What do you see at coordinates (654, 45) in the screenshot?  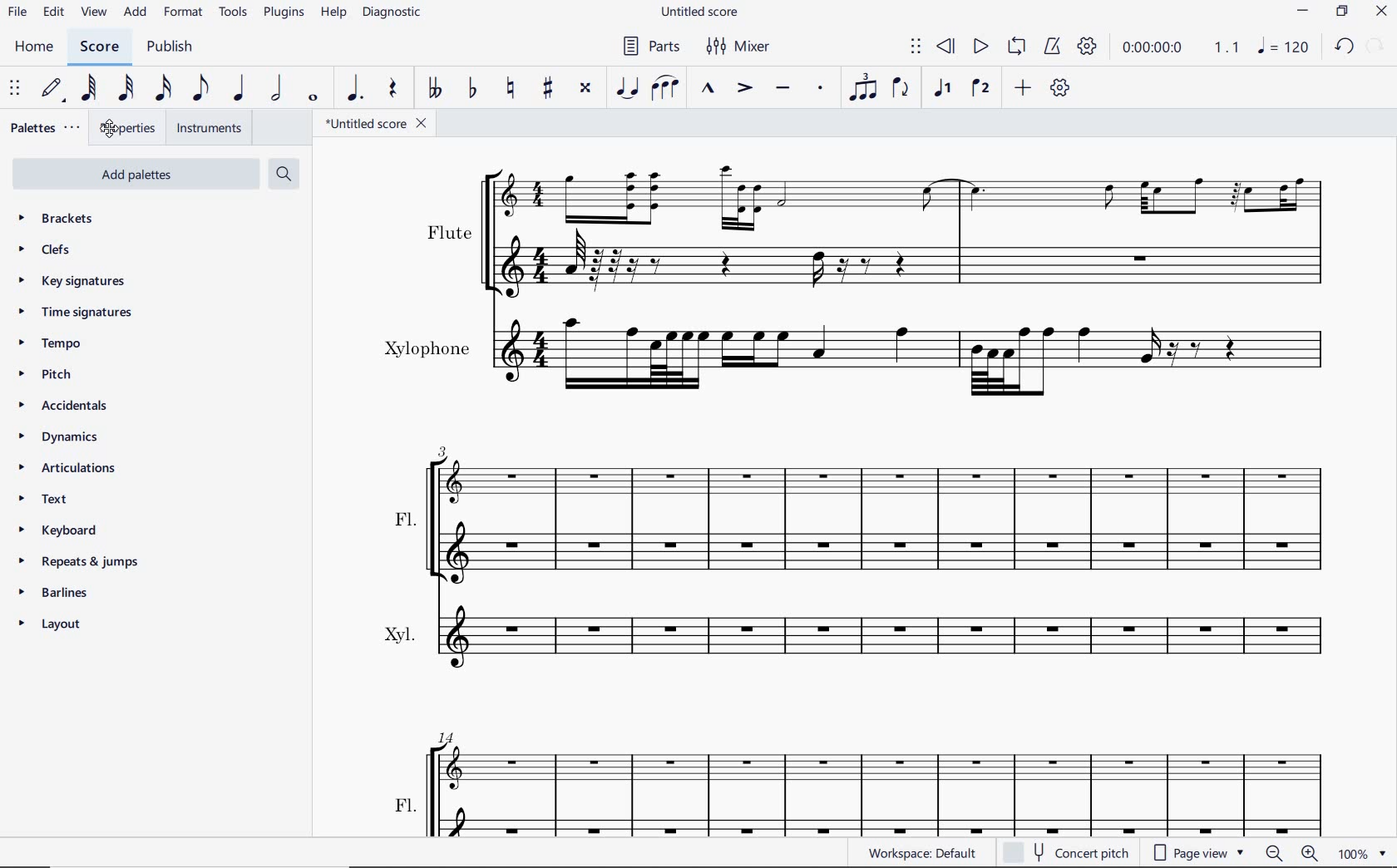 I see `PARTS` at bounding box center [654, 45].